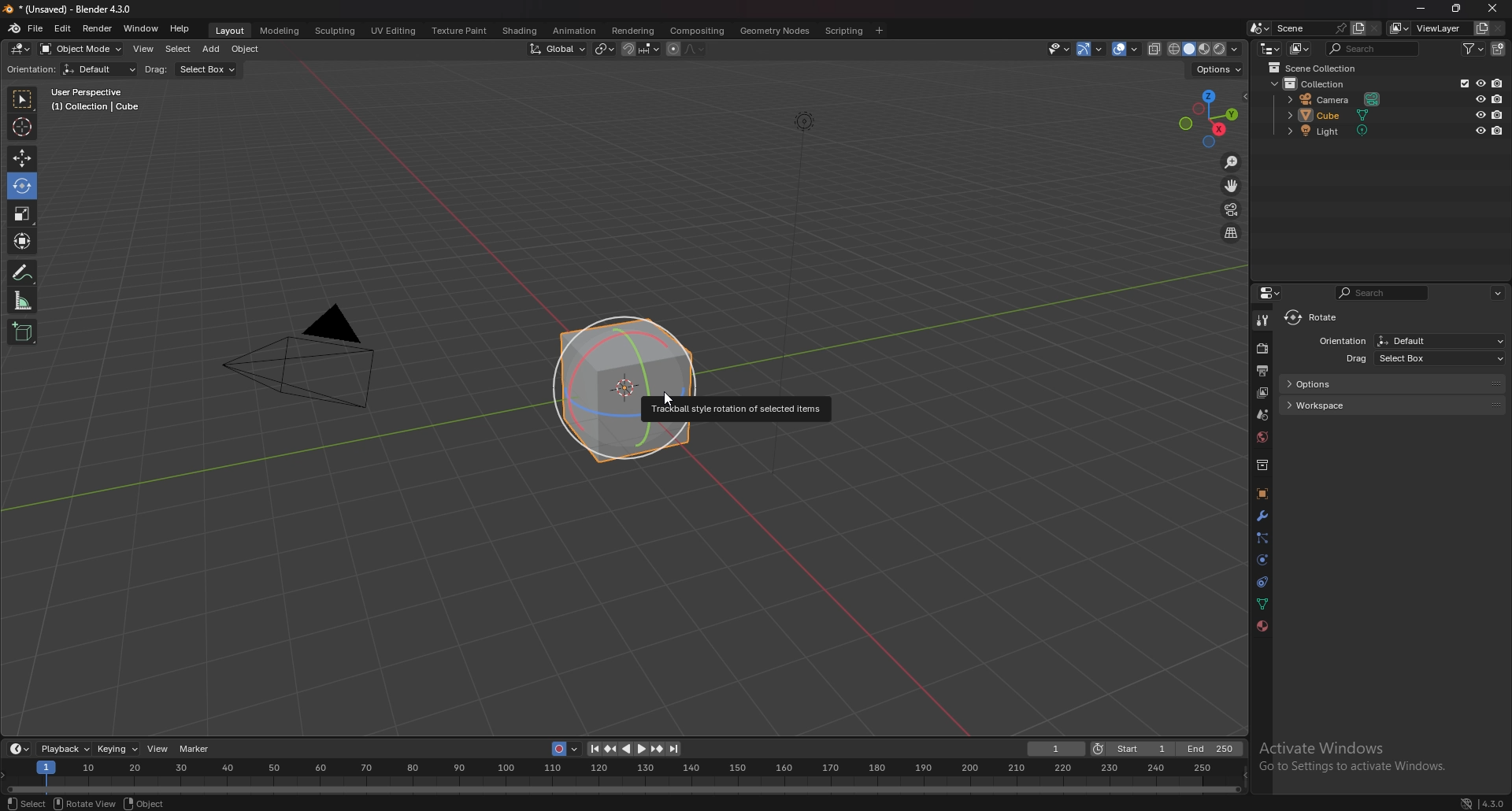 This screenshot has width=1512, height=811. What do you see at coordinates (1483, 803) in the screenshot?
I see `version` at bounding box center [1483, 803].